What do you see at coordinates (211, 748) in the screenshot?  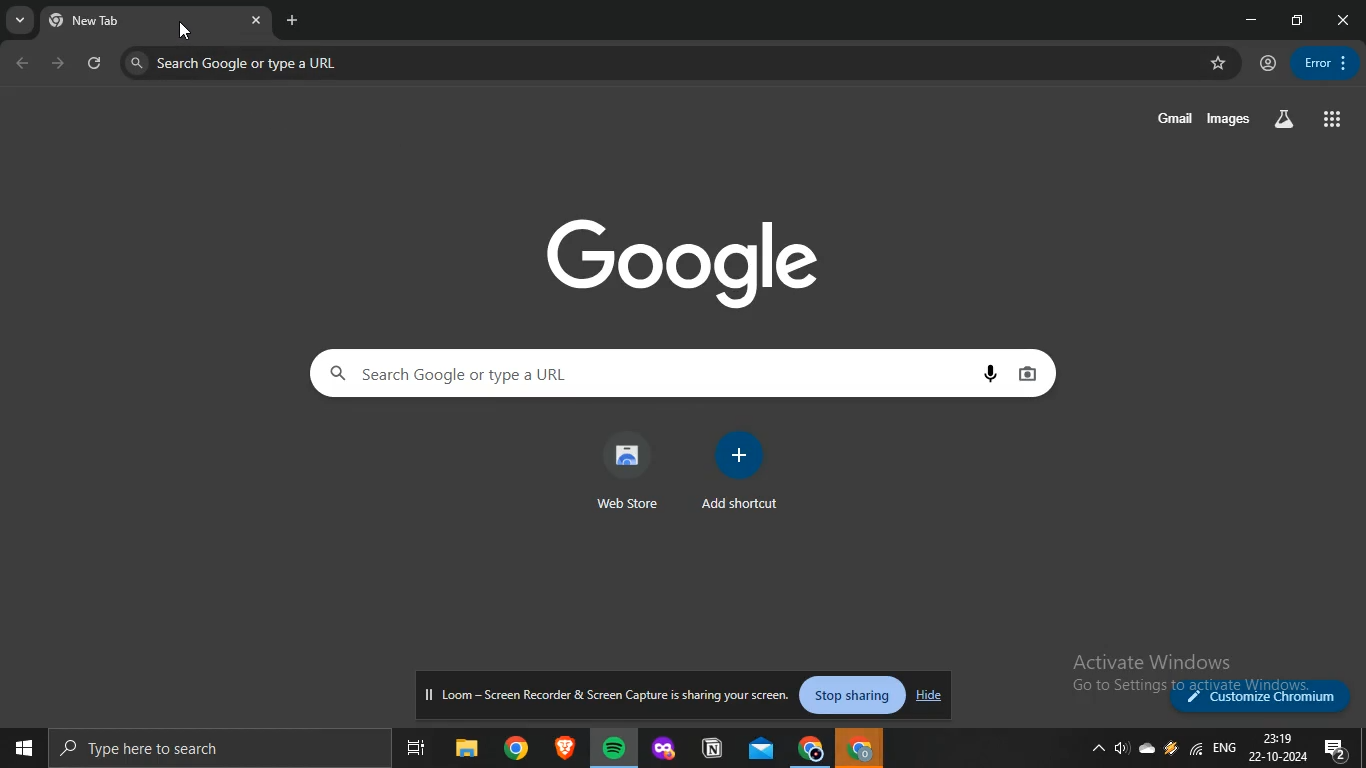 I see `type here to search` at bounding box center [211, 748].